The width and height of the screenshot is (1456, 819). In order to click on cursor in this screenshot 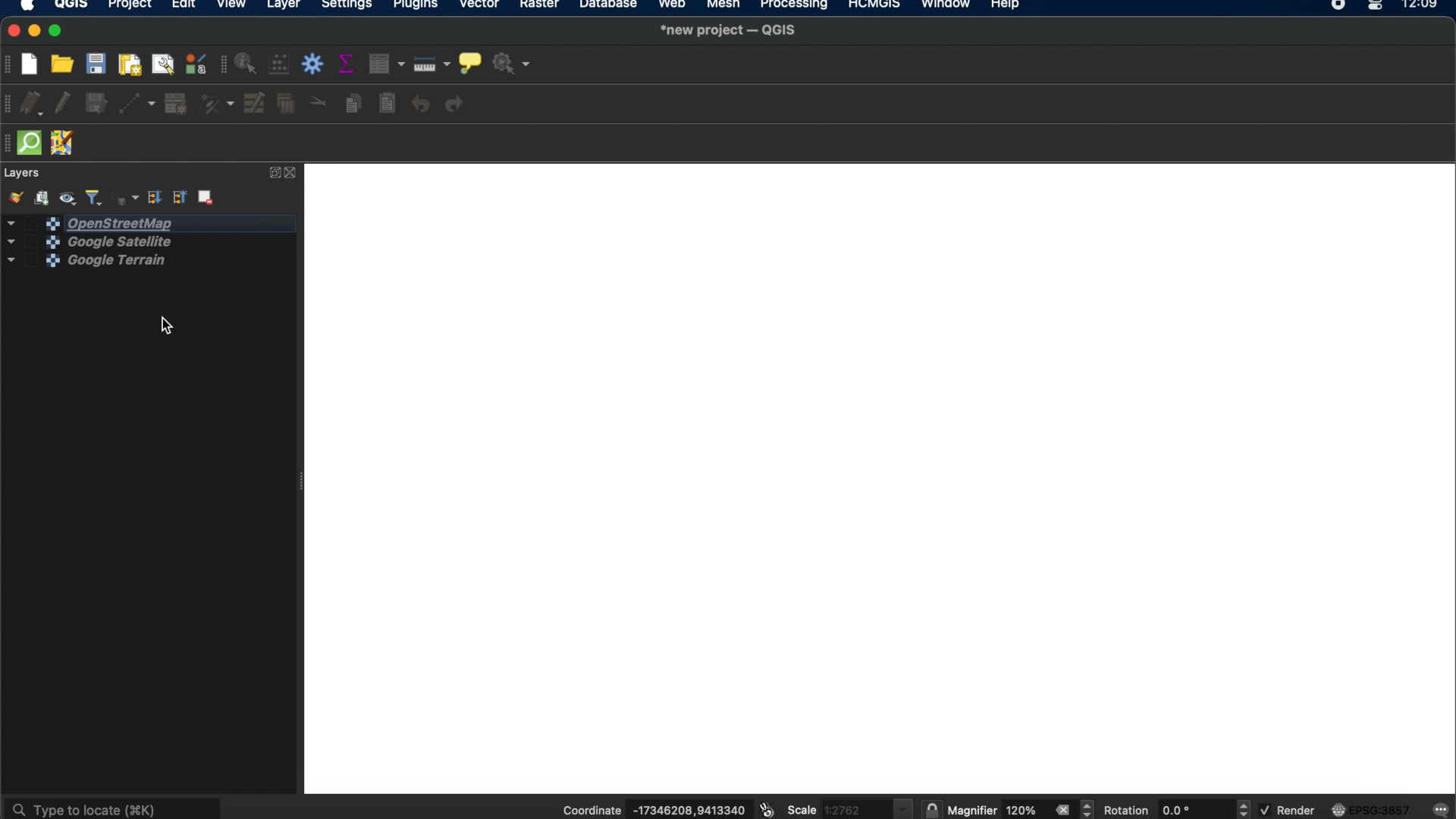, I will do `click(167, 325)`.